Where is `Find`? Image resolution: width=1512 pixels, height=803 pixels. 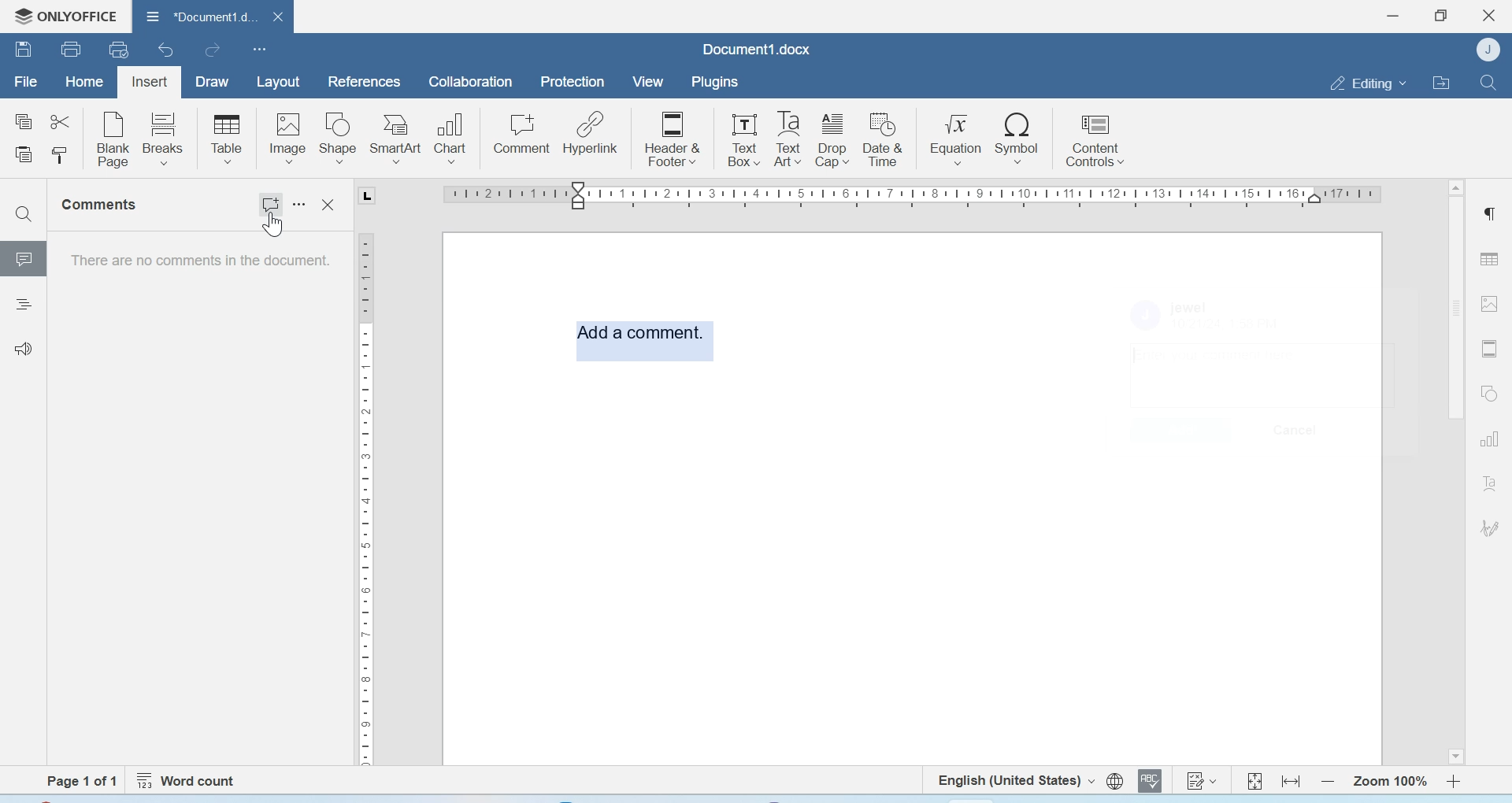 Find is located at coordinates (1487, 82).